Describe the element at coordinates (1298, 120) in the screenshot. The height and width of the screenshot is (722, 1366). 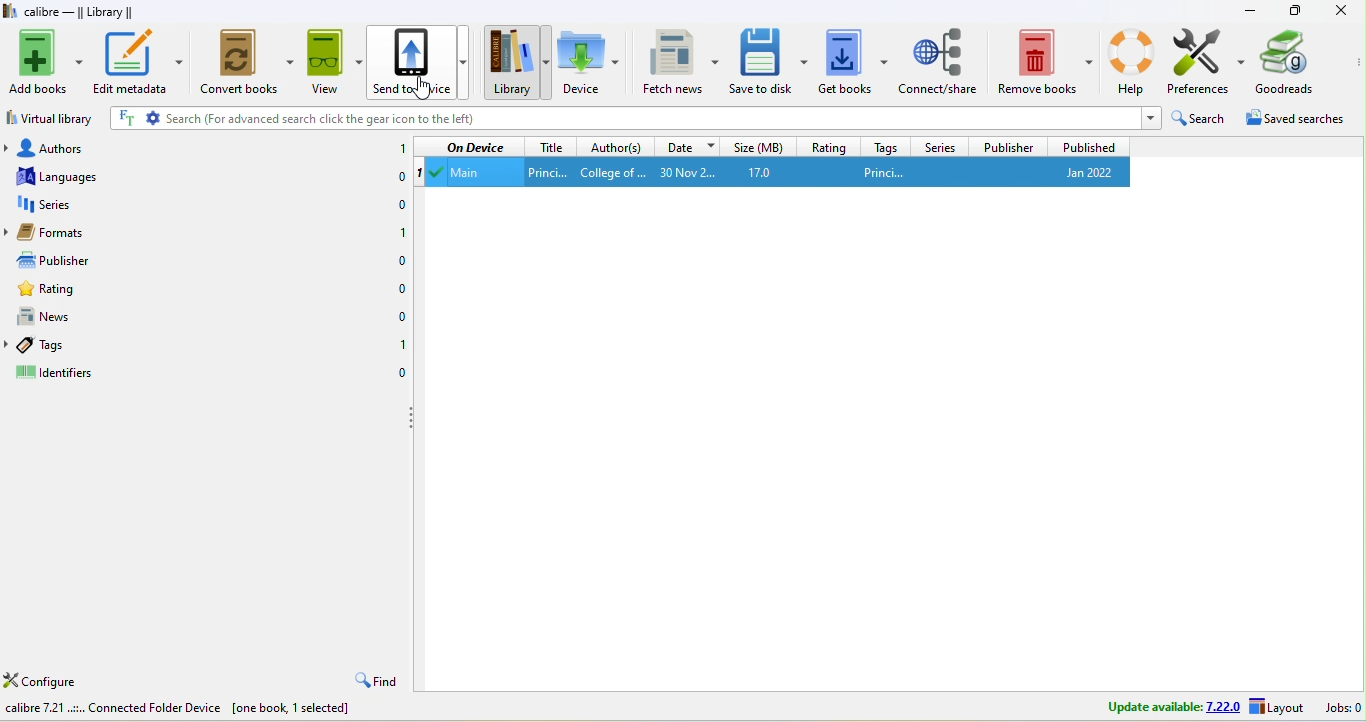
I see `saved searches` at that location.